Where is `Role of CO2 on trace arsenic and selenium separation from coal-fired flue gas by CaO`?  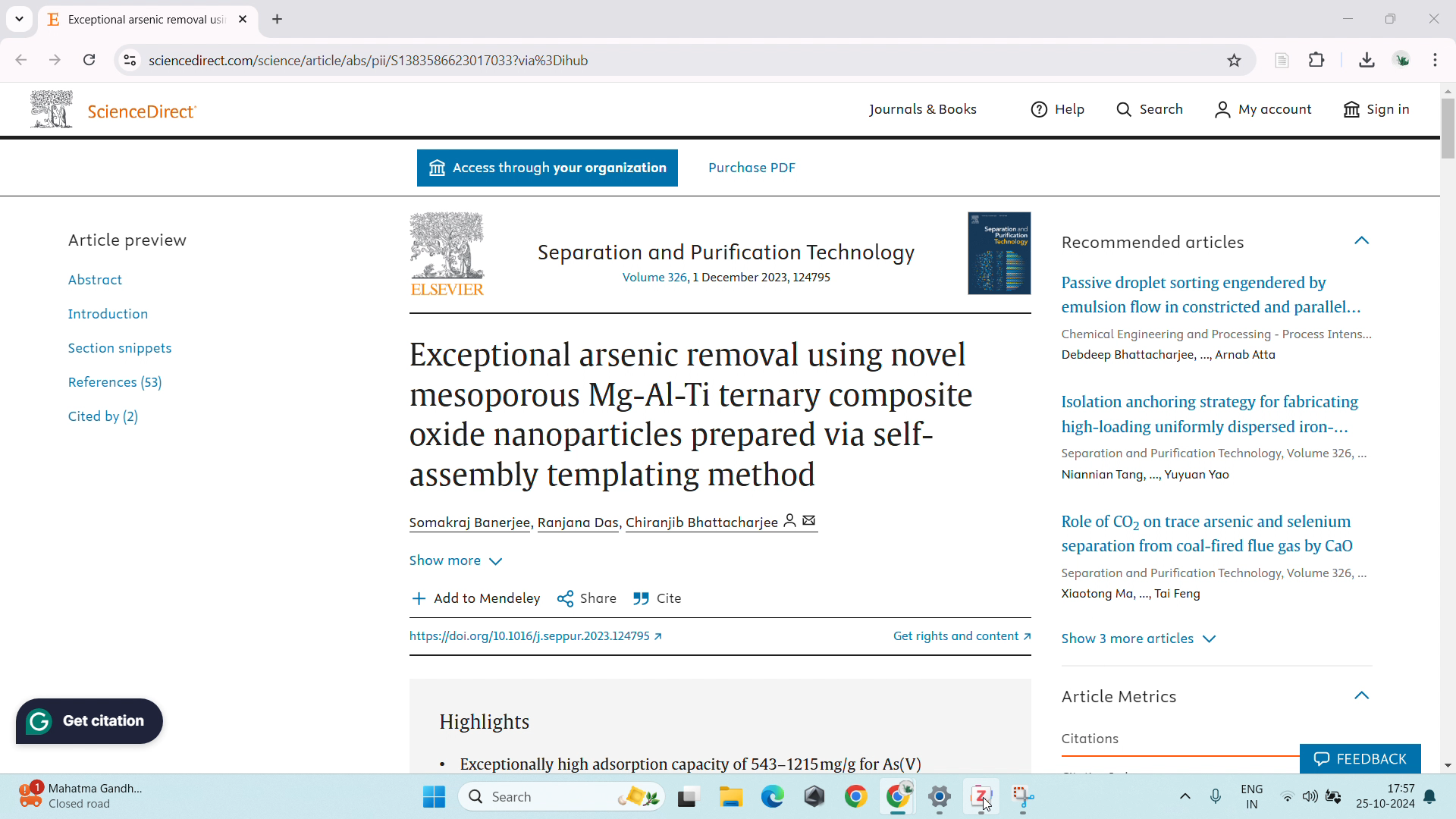
Role of CO2 on trace arsenic and selenium separation from coal-fired flue gas by CaO is located at coordinates (1210, 531).